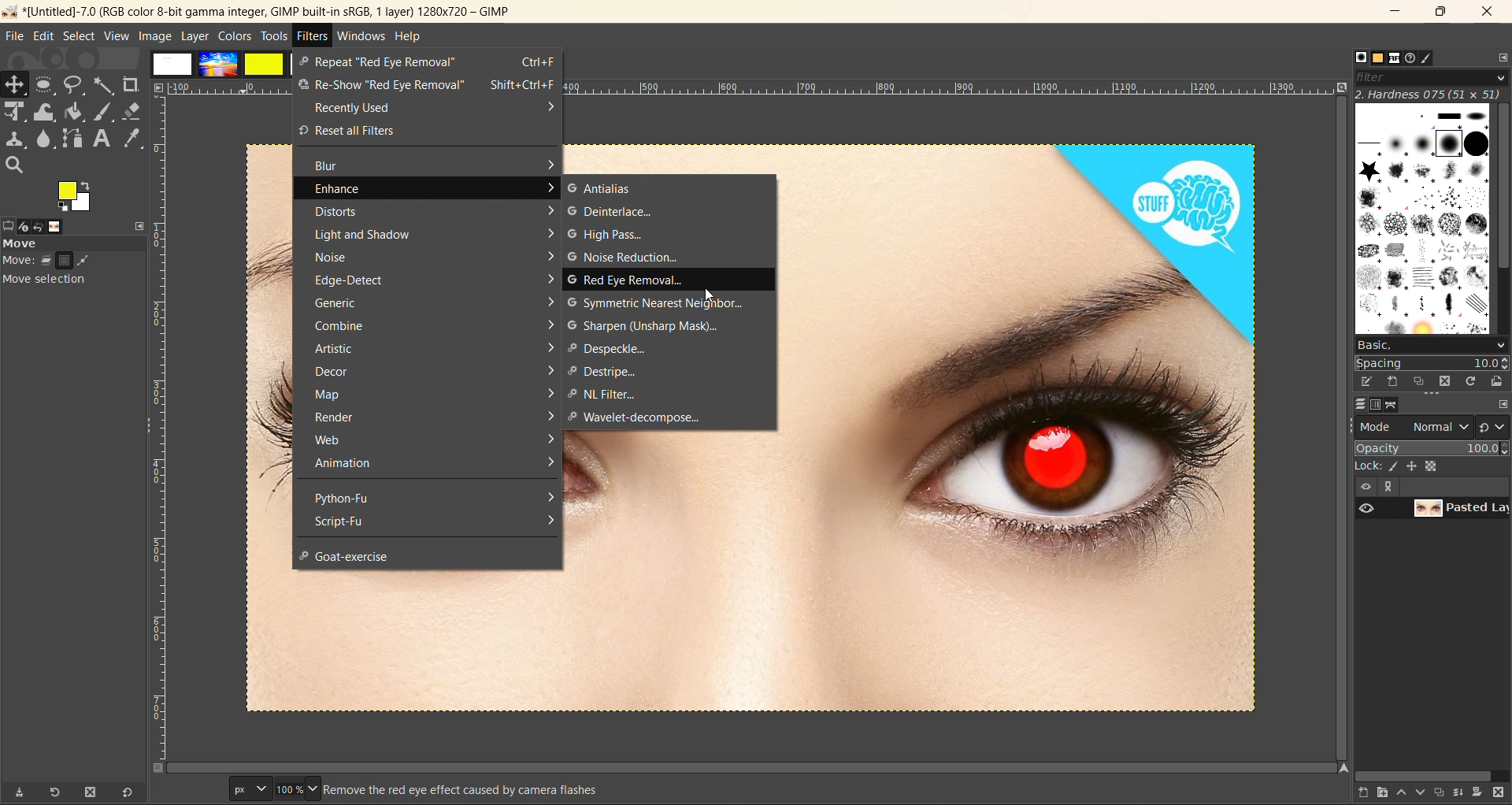  Describe the element at coordinates (435, 188) in the screenshot. I see `enhance` at that location.